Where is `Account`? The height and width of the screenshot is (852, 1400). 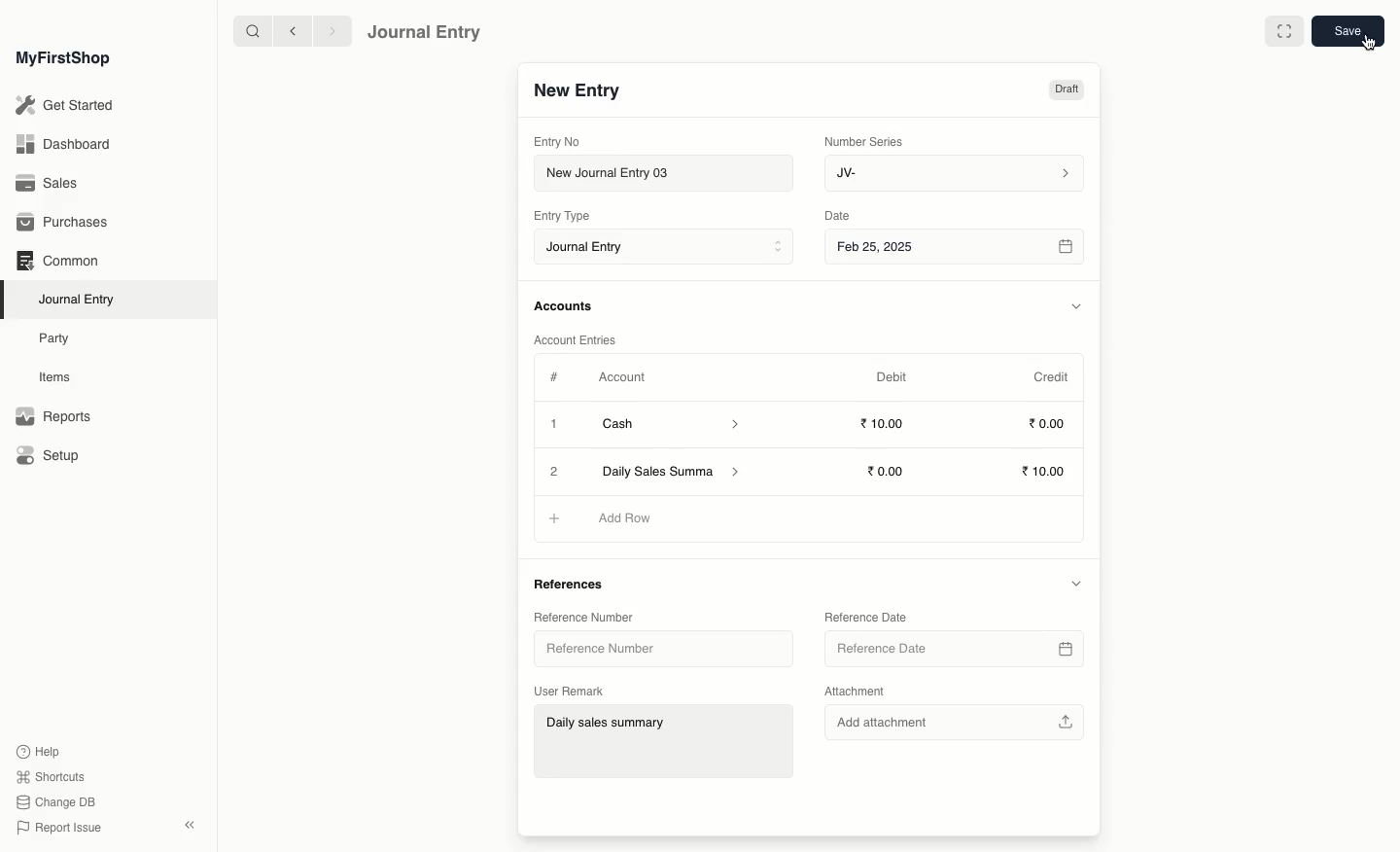 Account is located at coordinates (621, 377).